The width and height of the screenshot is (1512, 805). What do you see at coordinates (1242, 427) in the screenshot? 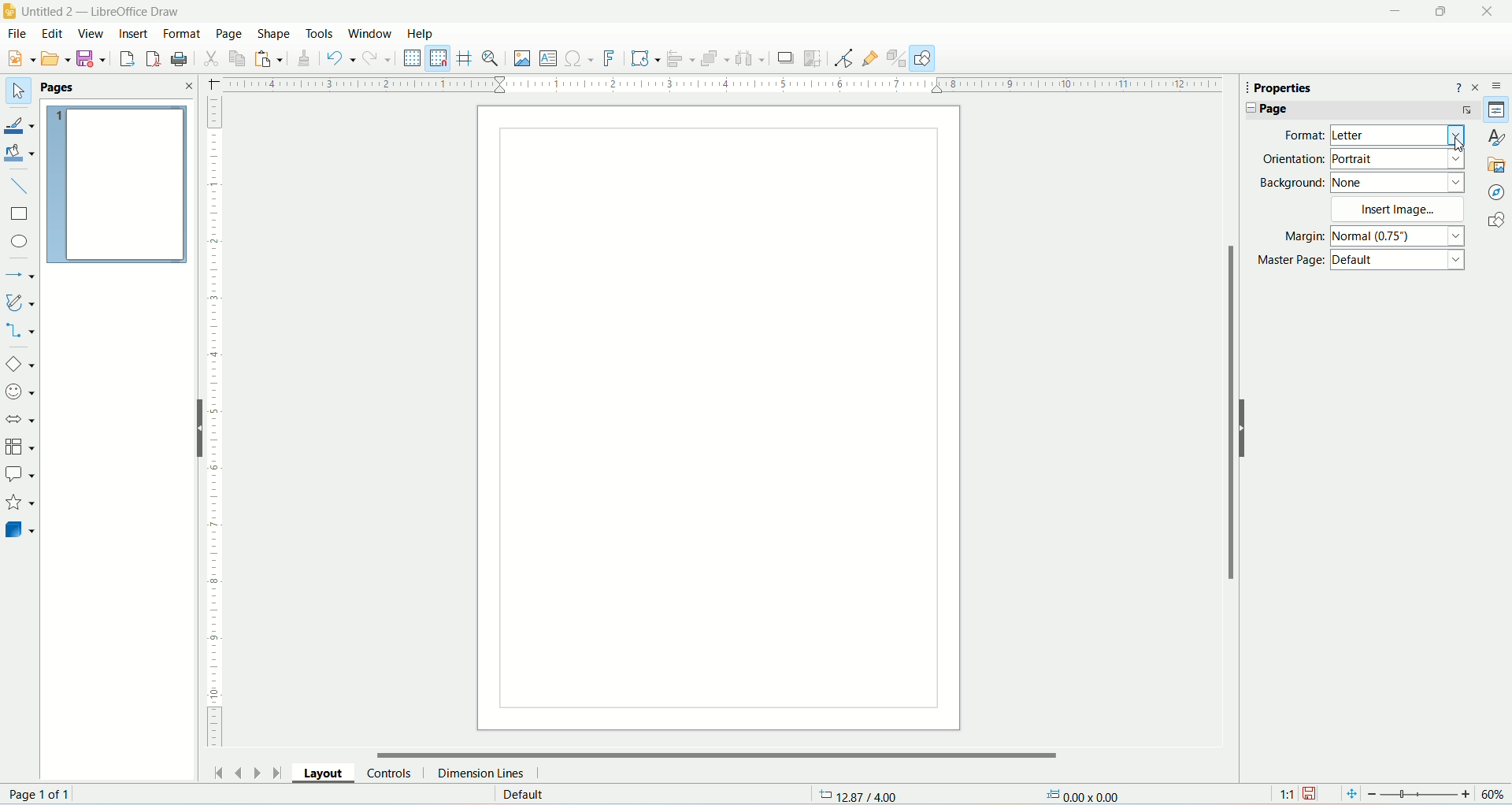
I see `hide` at bounding box center [1242, 427].